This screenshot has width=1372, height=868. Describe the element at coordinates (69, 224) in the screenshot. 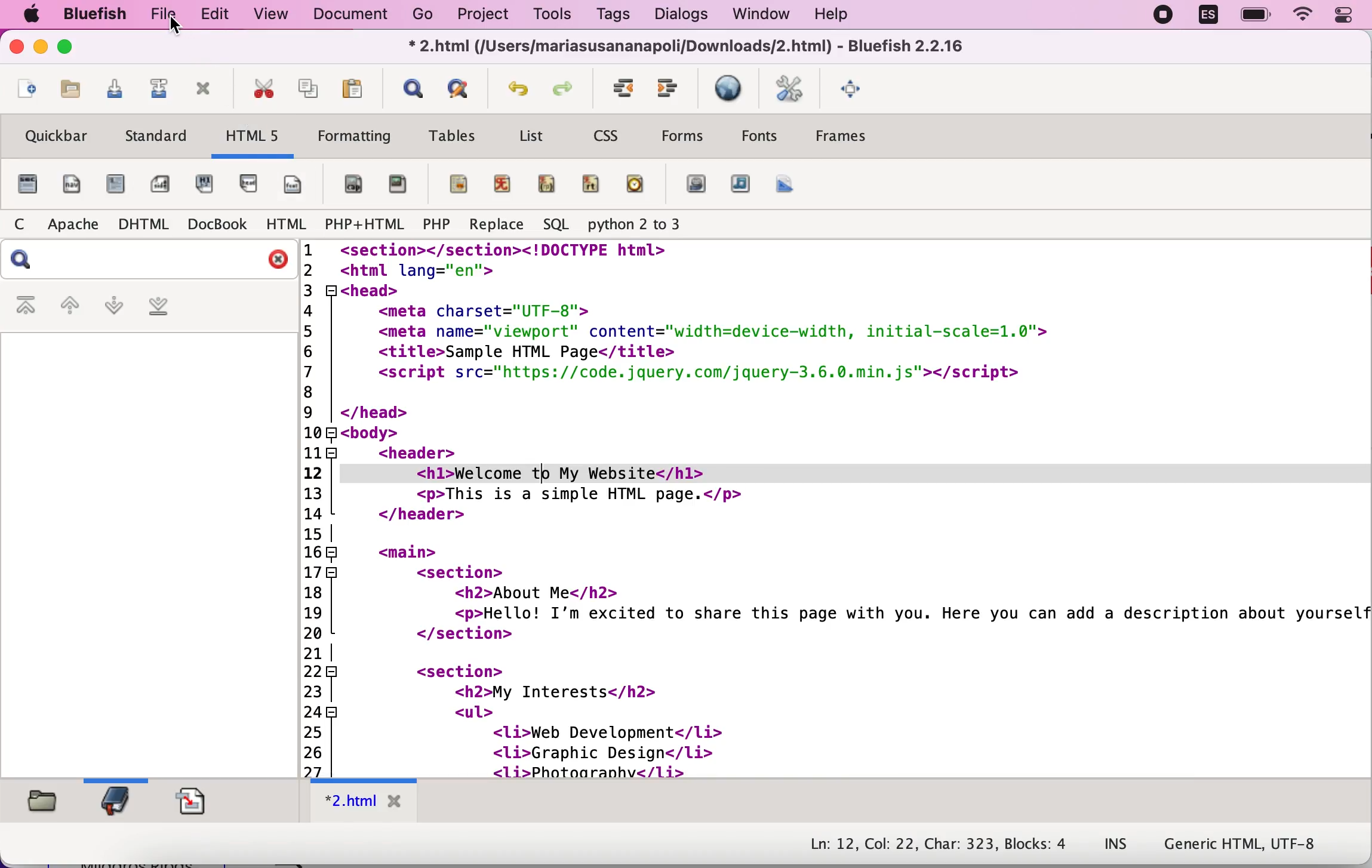

I see `apache` at that location.